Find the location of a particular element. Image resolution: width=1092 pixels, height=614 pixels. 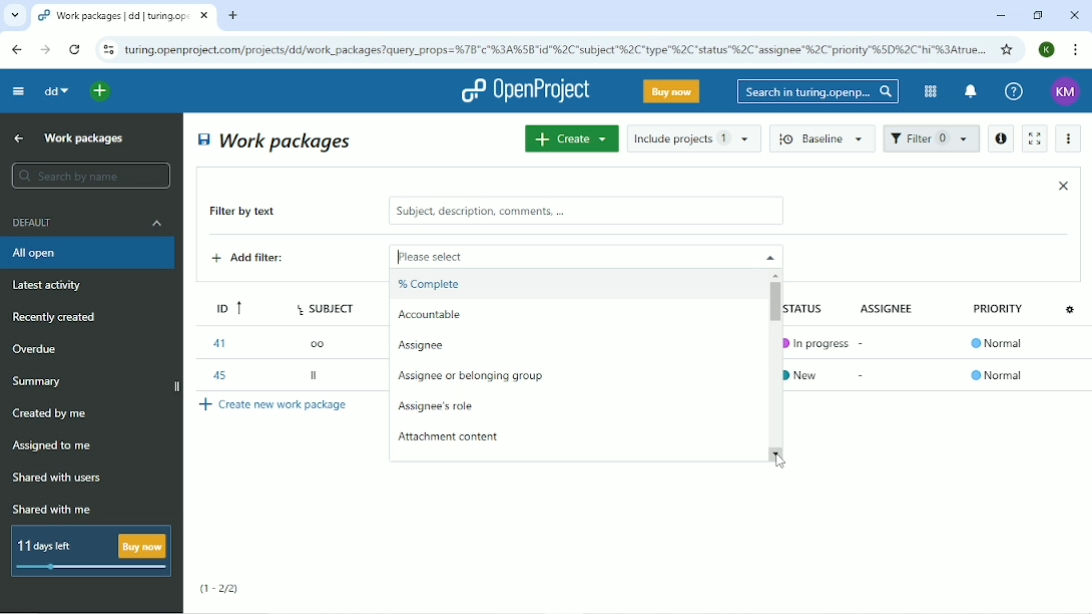

(1-2/2) is located at coordinates (220, 589).